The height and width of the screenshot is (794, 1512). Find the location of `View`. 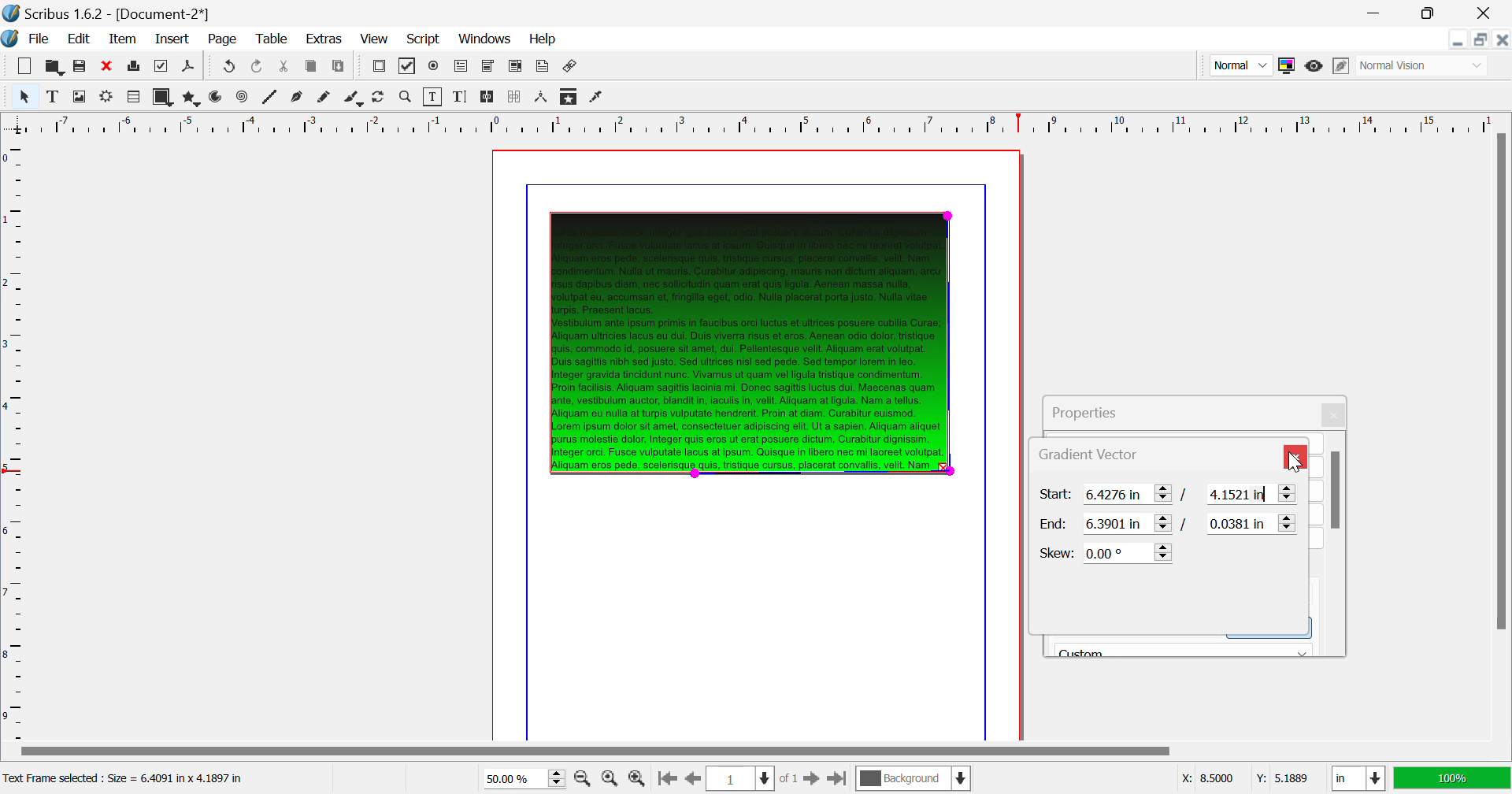

View is located at coordinates (373, 39).